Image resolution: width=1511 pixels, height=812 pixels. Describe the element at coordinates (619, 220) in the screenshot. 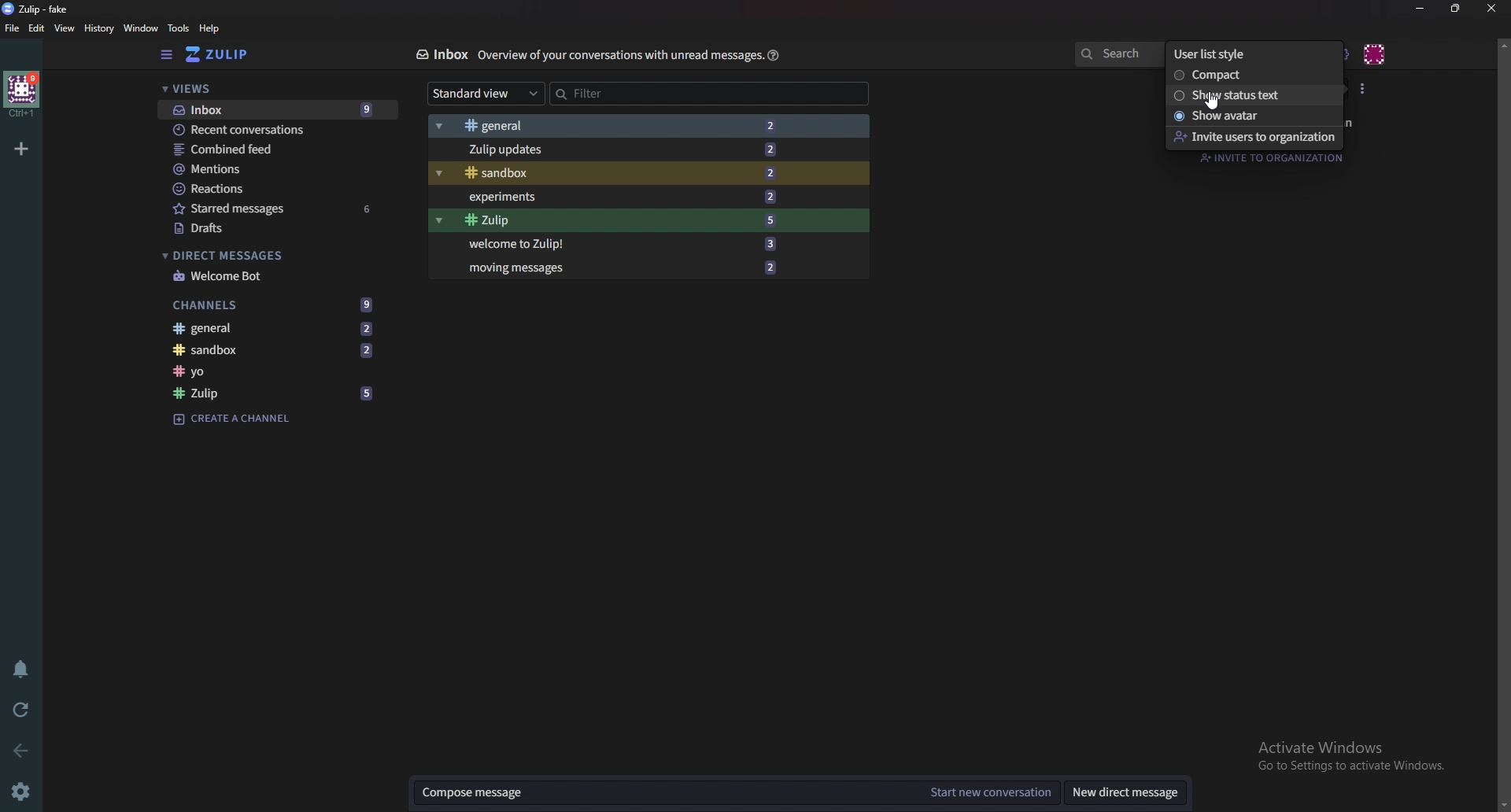

I see `Zulip` at that location.